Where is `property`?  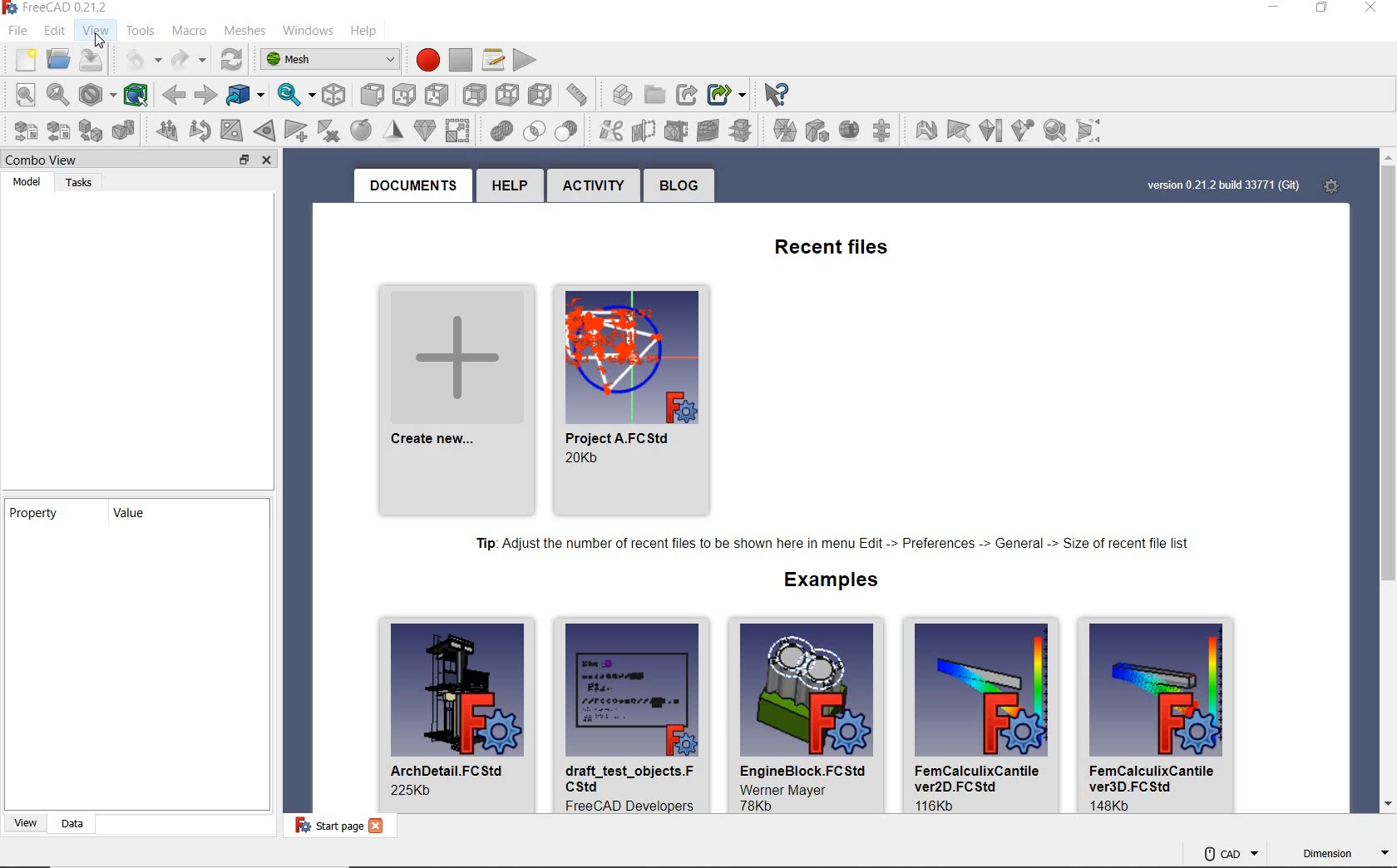 property is located at coordinates (33, 515).